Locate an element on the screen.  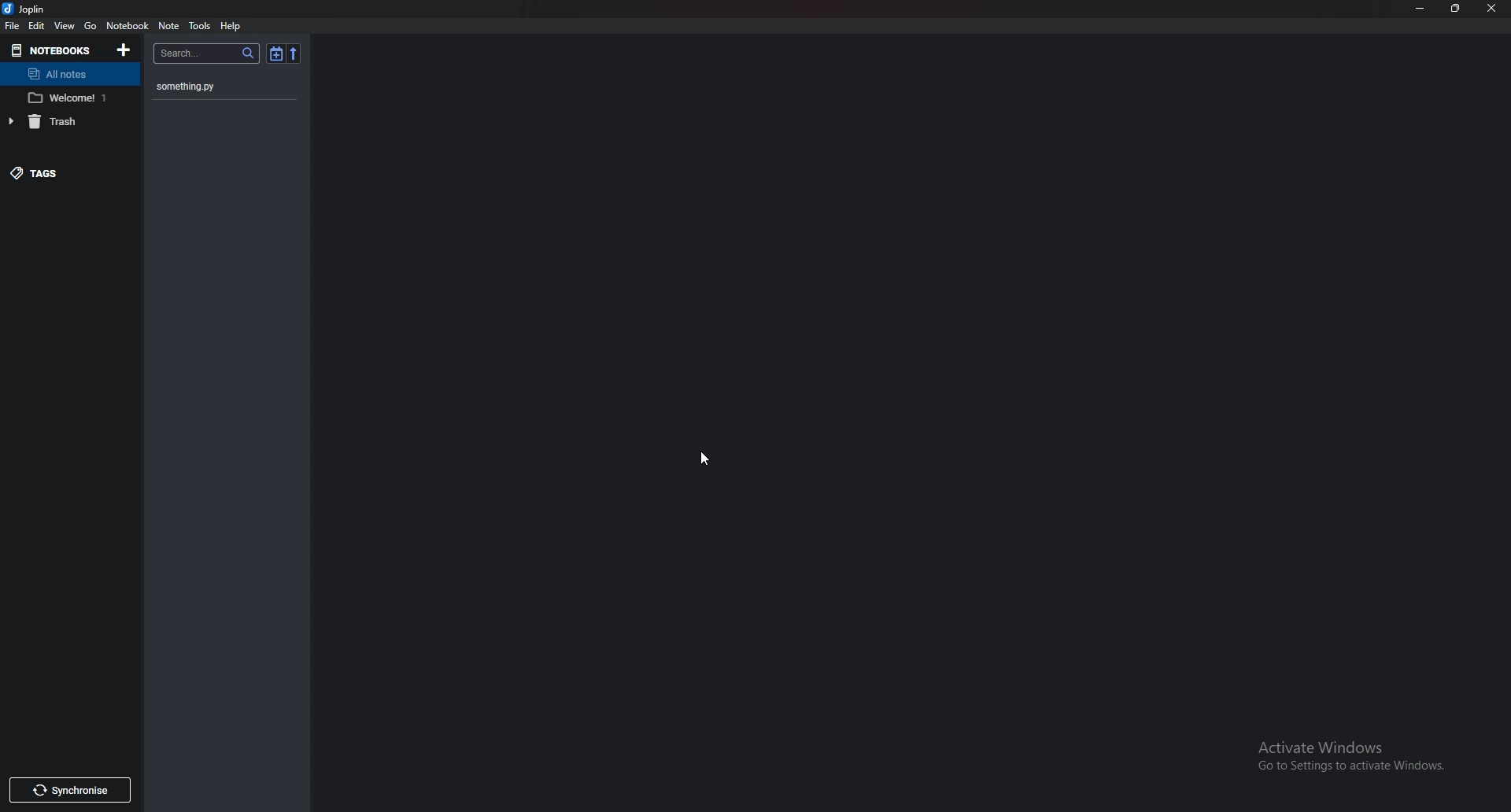
Notebooks is located at coordinates (50, 50).